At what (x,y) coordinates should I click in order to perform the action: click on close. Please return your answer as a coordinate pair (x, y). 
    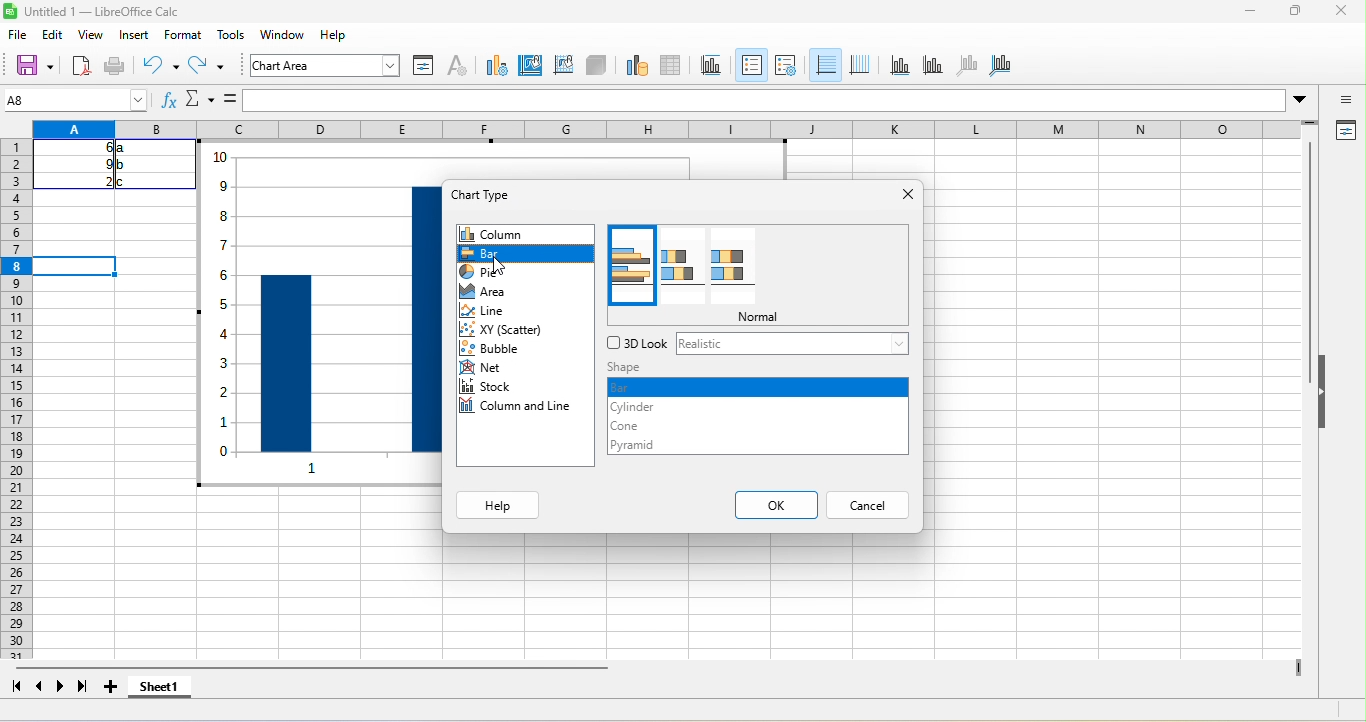
    Looking at the image, I should click on (905, 194).